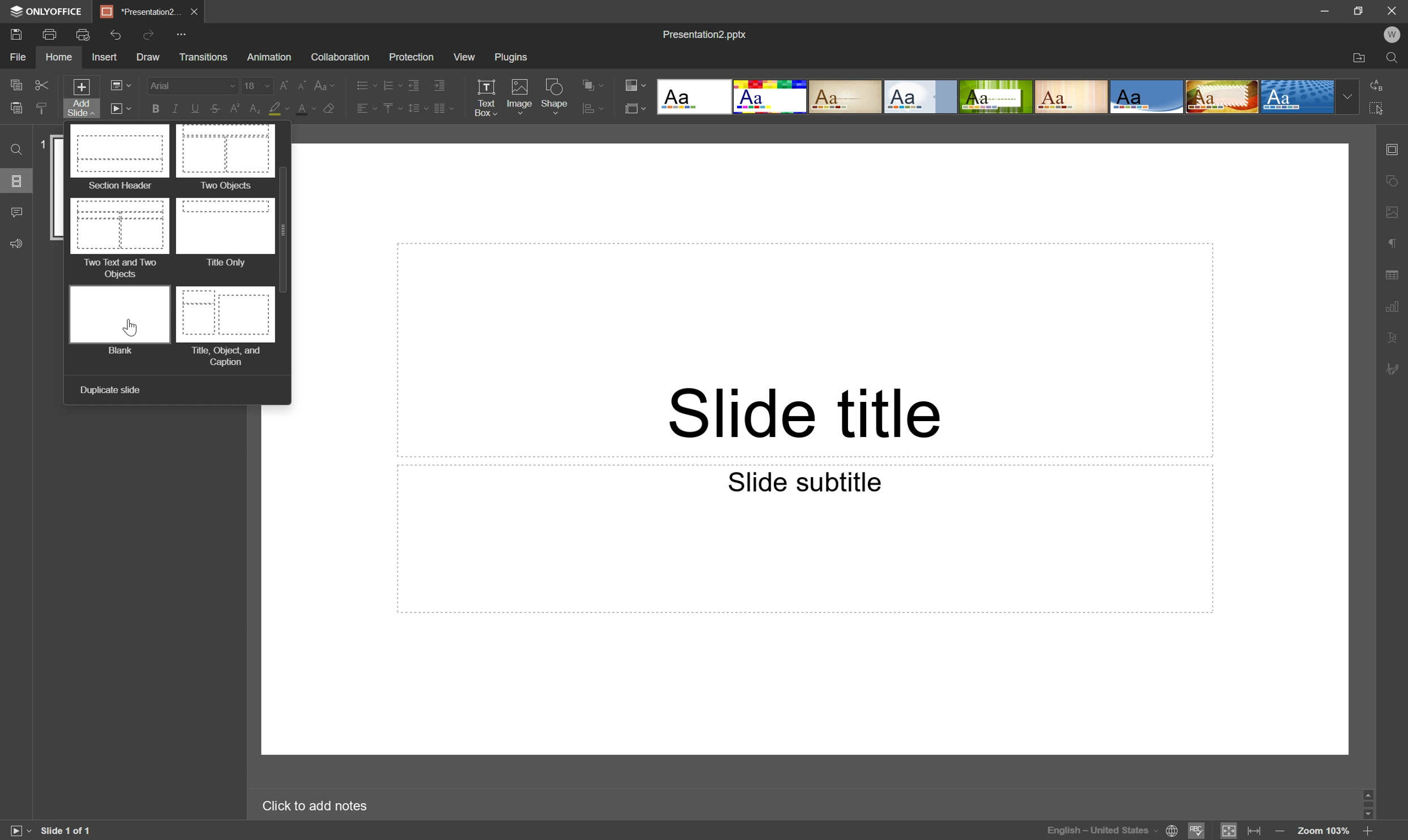 The image size is (1408, 840). Describe the element at coordinates (67, 829) in the screenshot. I see `Slide 1 of 1` at that location.